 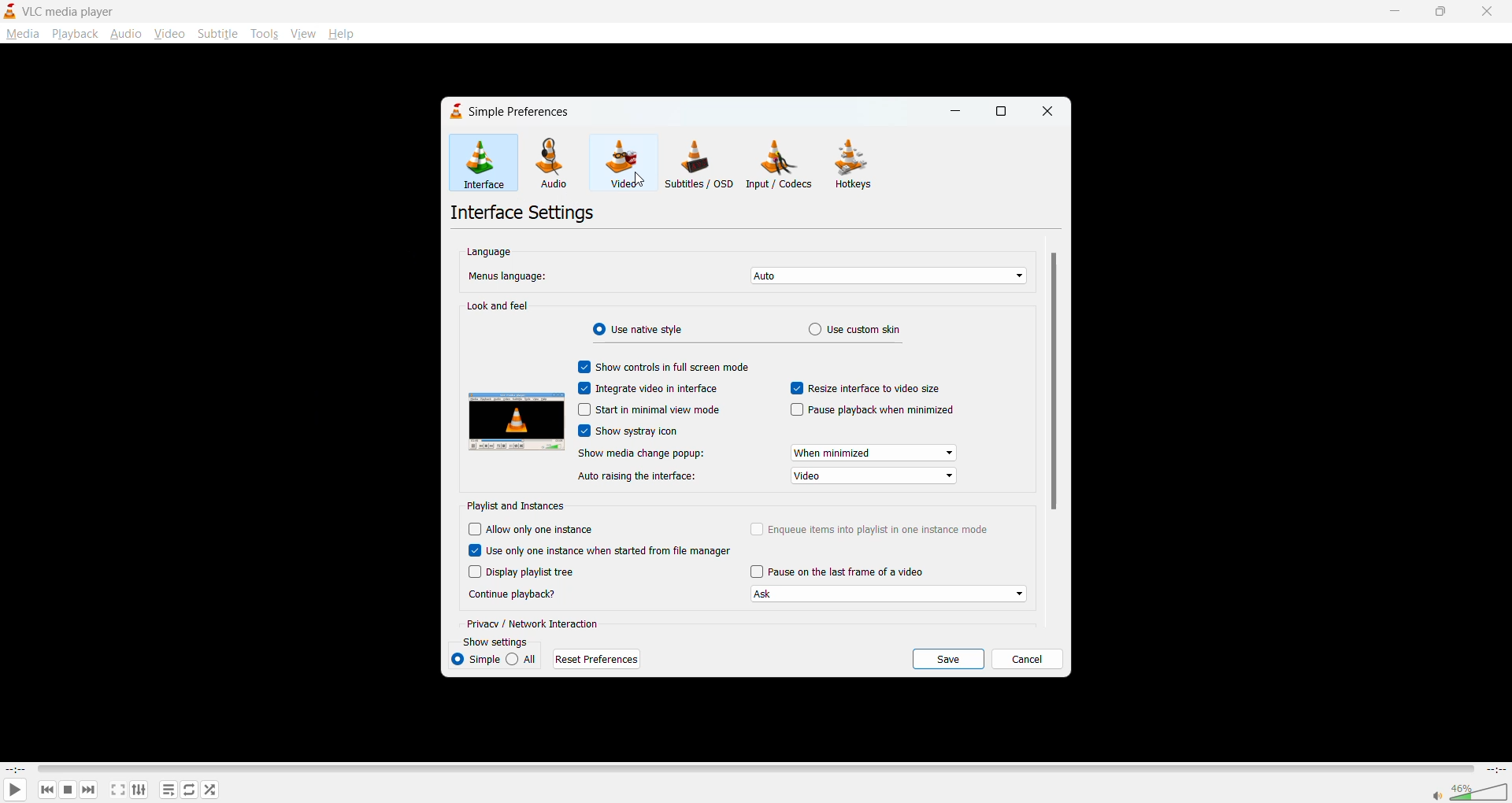 I want to click on volume, so click(x=1469, y=790).